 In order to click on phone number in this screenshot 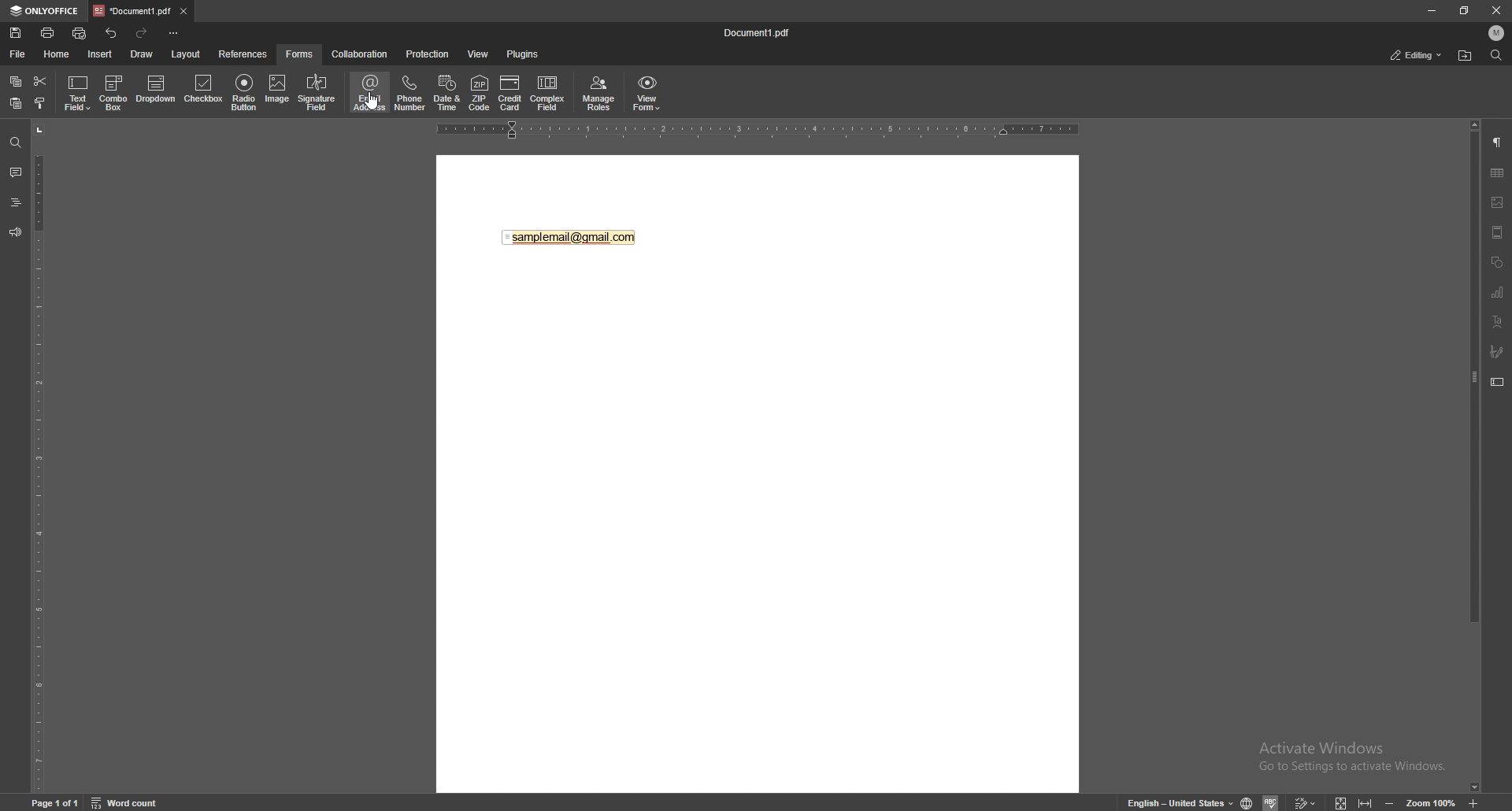, I will do `click(409, 94)`.